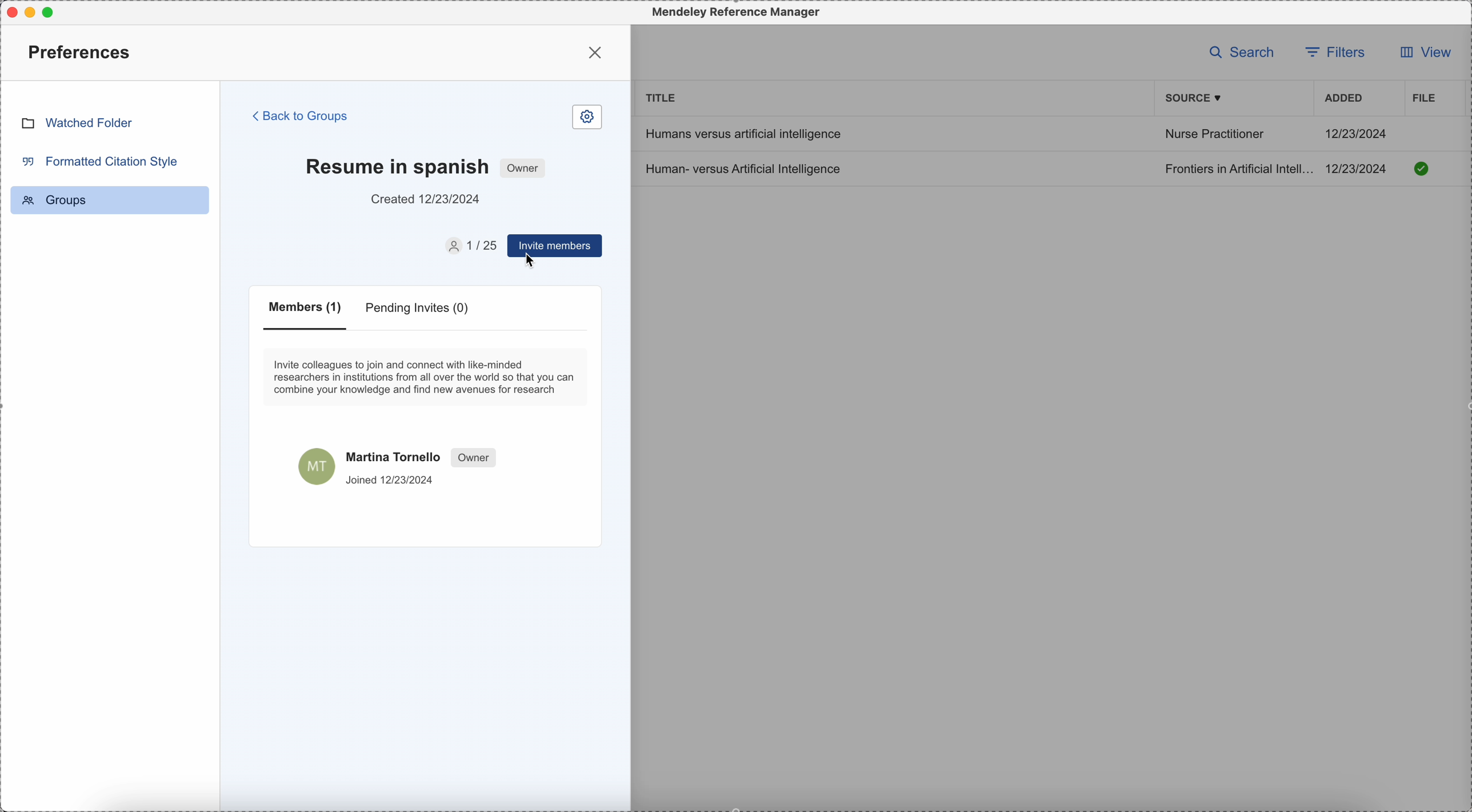 This screenshot has height=812, width=1472. Describe the element at coordinates (1237, 168) in the screenshot. I see `Frontiers in Artificial Intell..` at that location.